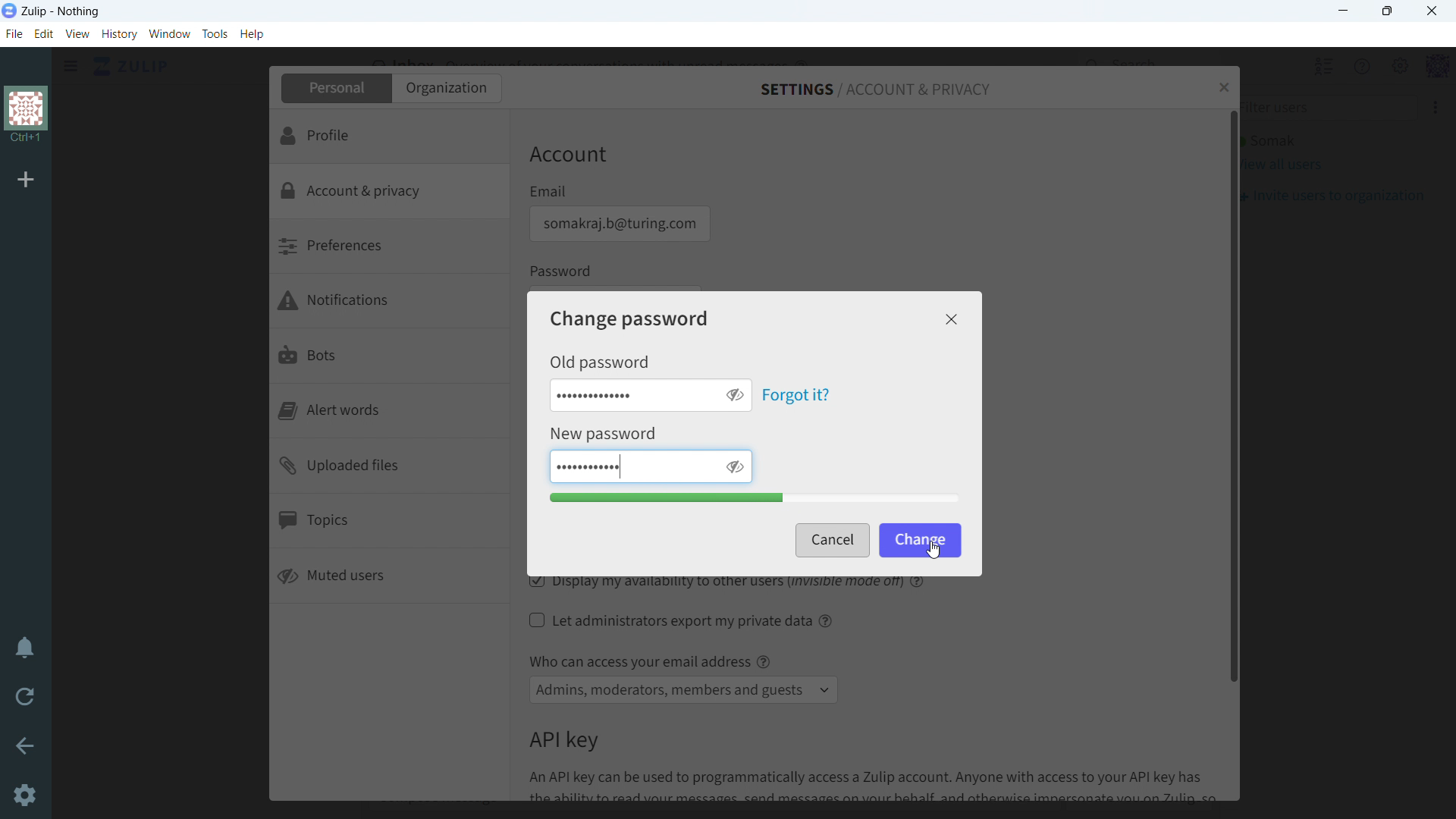  What do you see at coordinates (599, 394) in the screenshot?
I see `old password typed` at bounding box center [599, 394].